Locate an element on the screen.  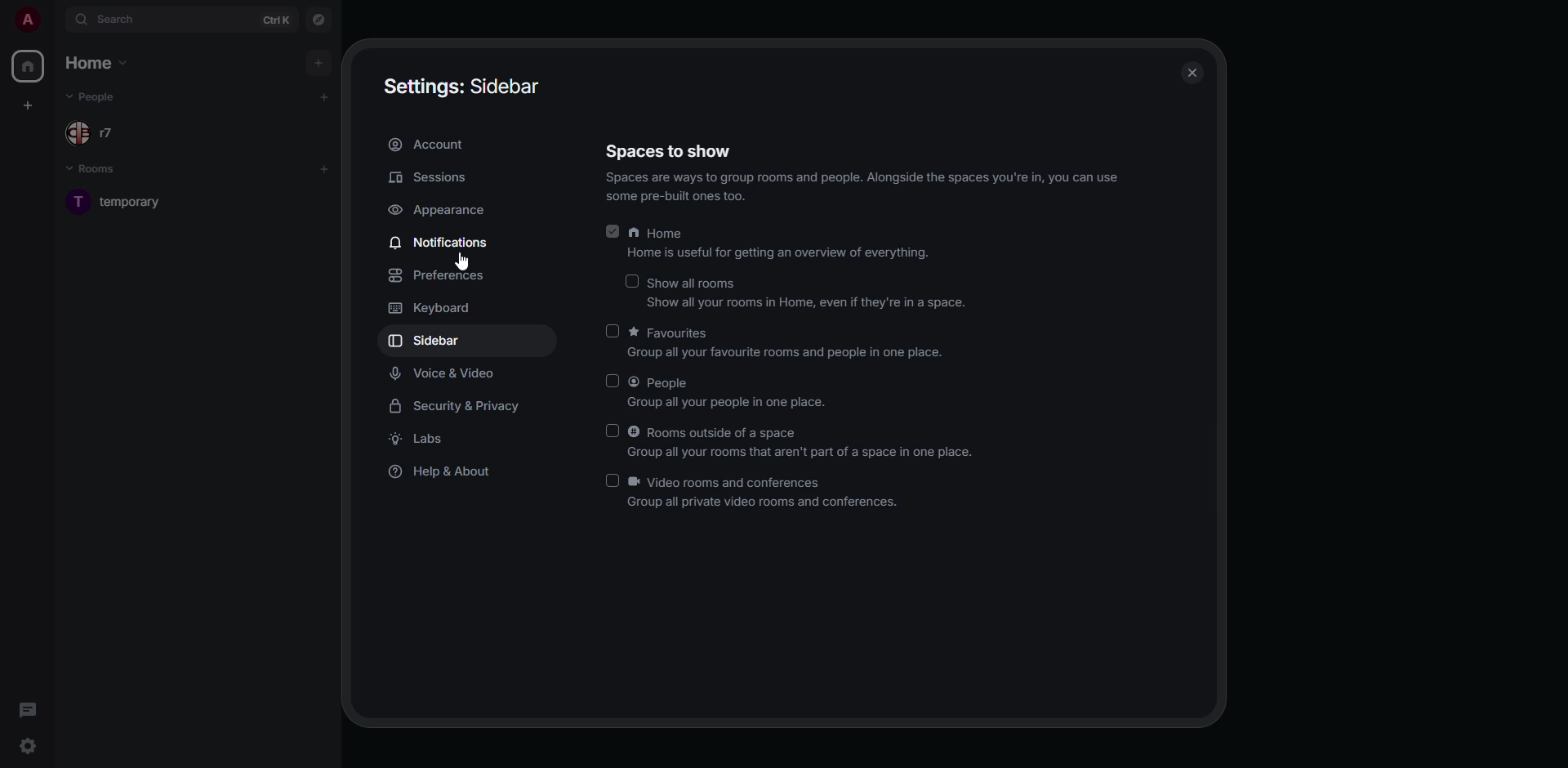
security & privacy is located at coordinates (459, 405).